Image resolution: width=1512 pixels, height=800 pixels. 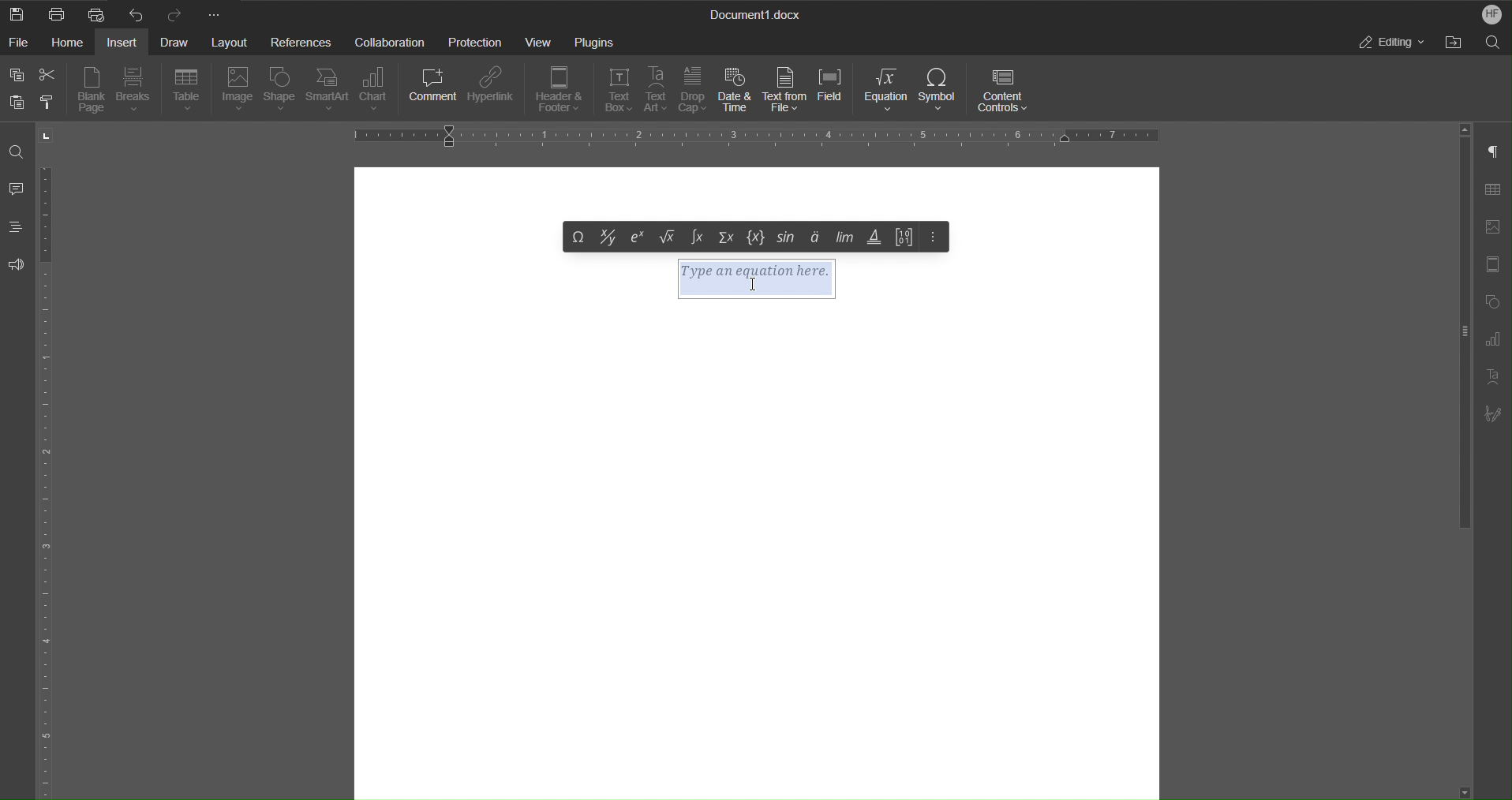 I want to click on Fraction, so click(x=607, y=237).